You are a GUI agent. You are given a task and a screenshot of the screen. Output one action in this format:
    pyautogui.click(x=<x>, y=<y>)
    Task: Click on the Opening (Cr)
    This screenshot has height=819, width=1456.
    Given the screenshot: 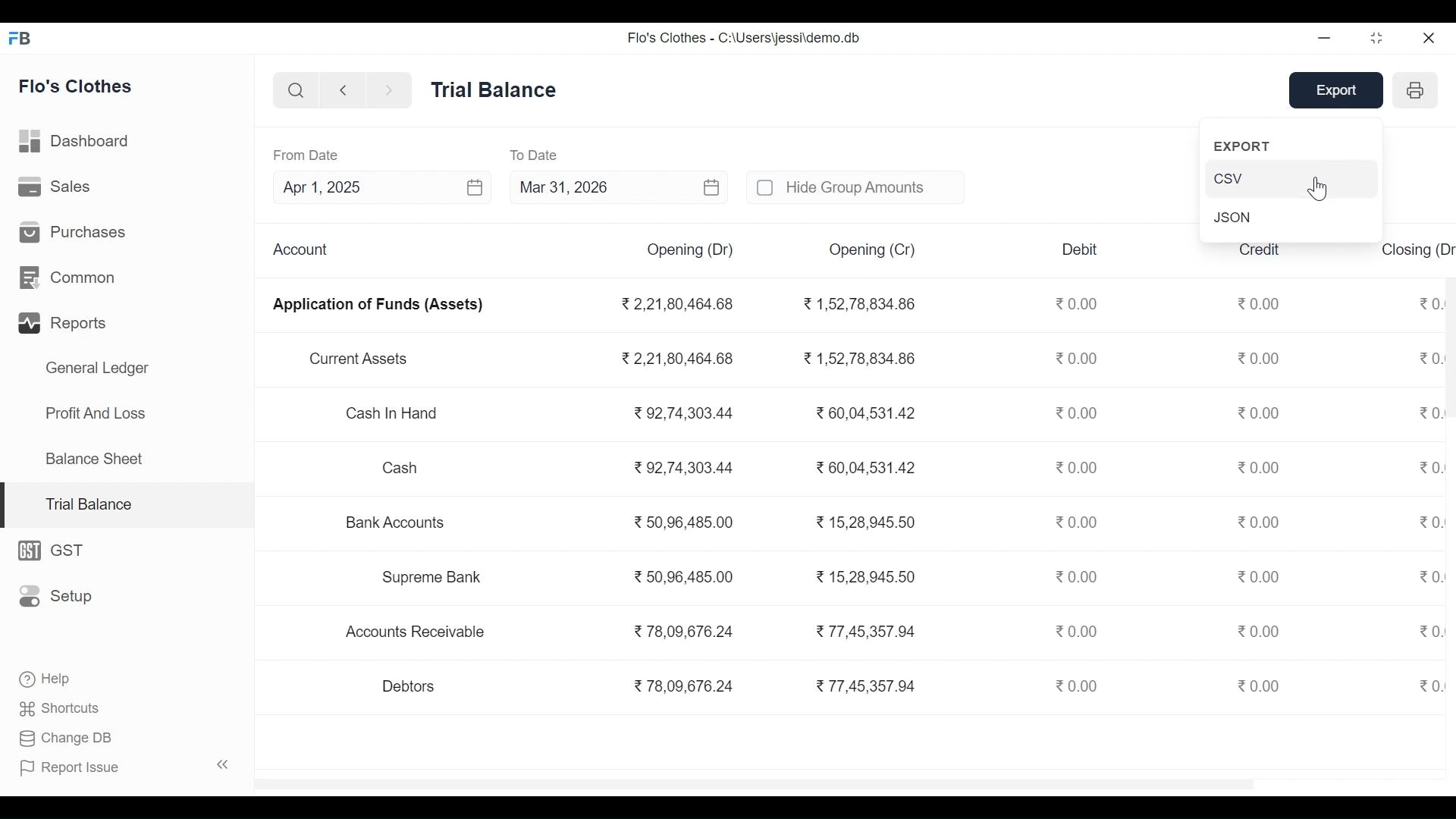 What is the action you would take?
    pyautogui.click(x=874, y=250)
    